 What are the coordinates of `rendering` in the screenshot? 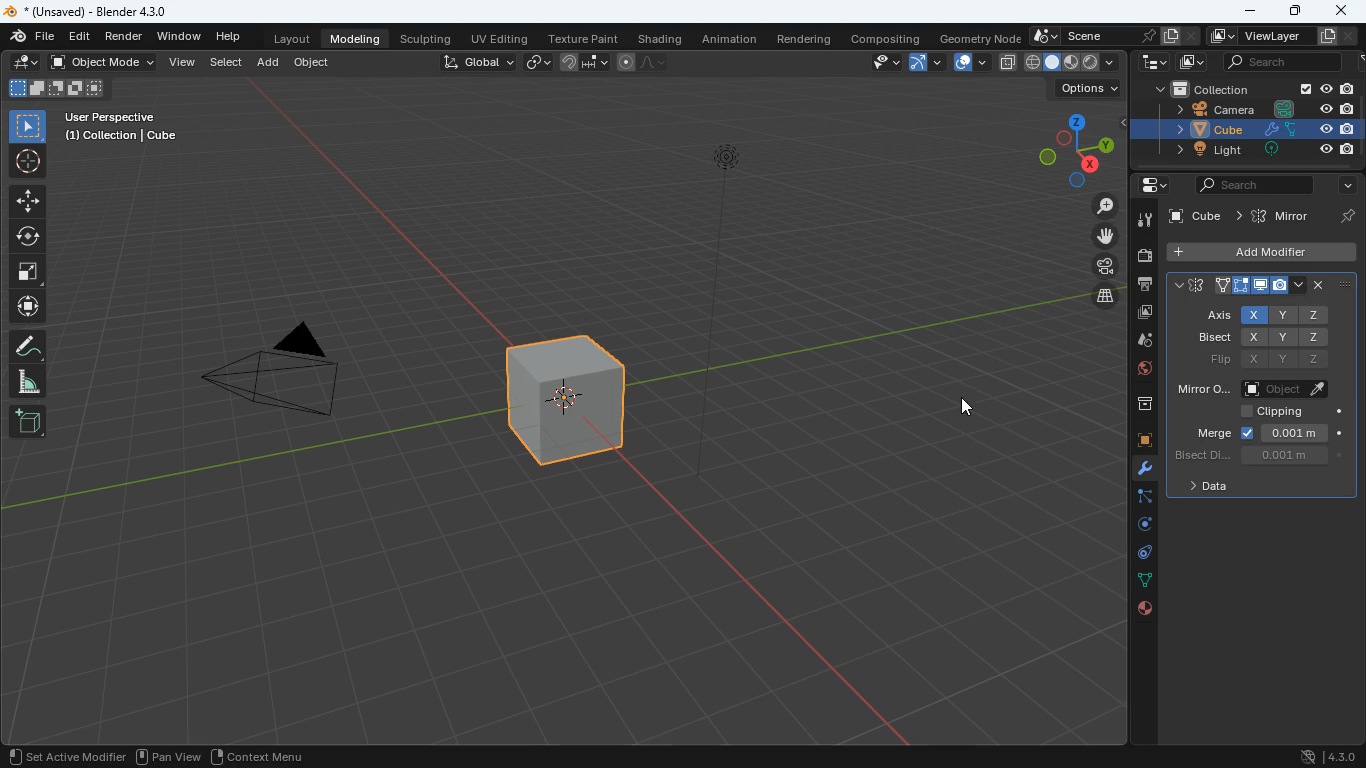 It's located at (804, 41).